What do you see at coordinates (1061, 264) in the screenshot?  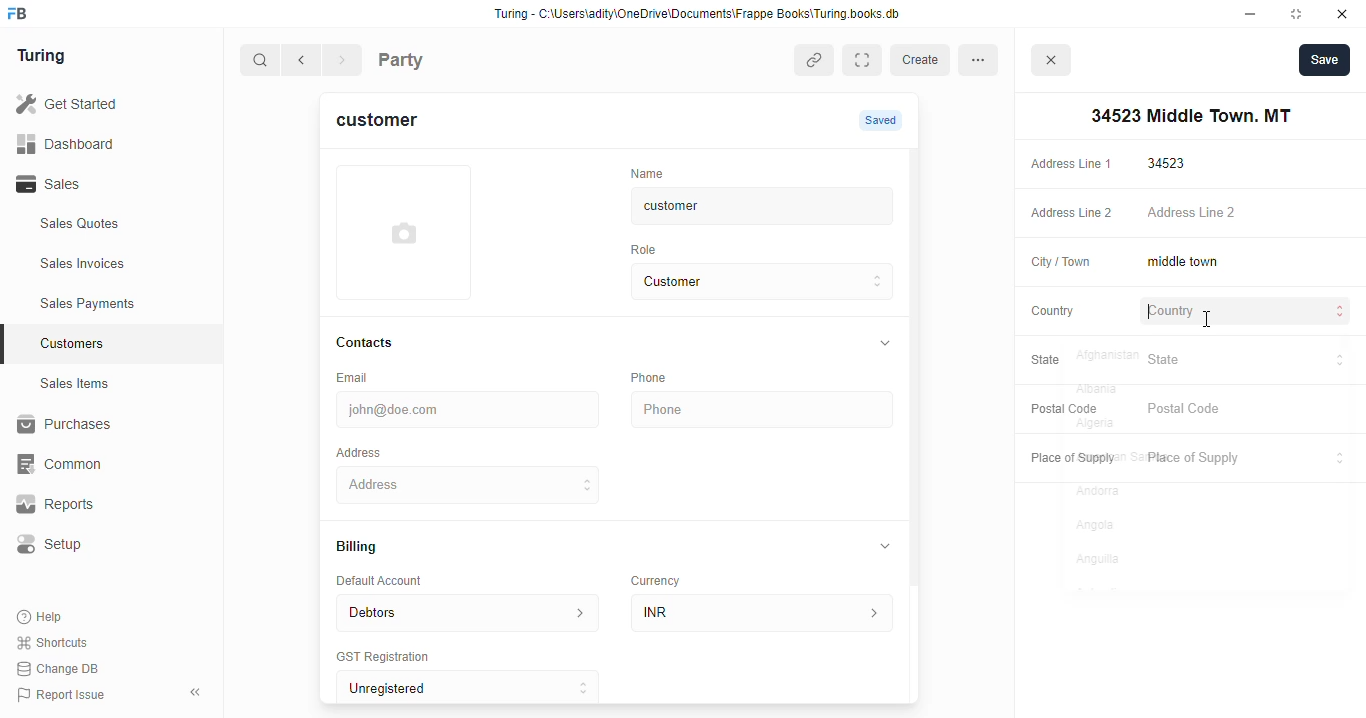 I see `City / Town` at bounding box center [1061, 264].